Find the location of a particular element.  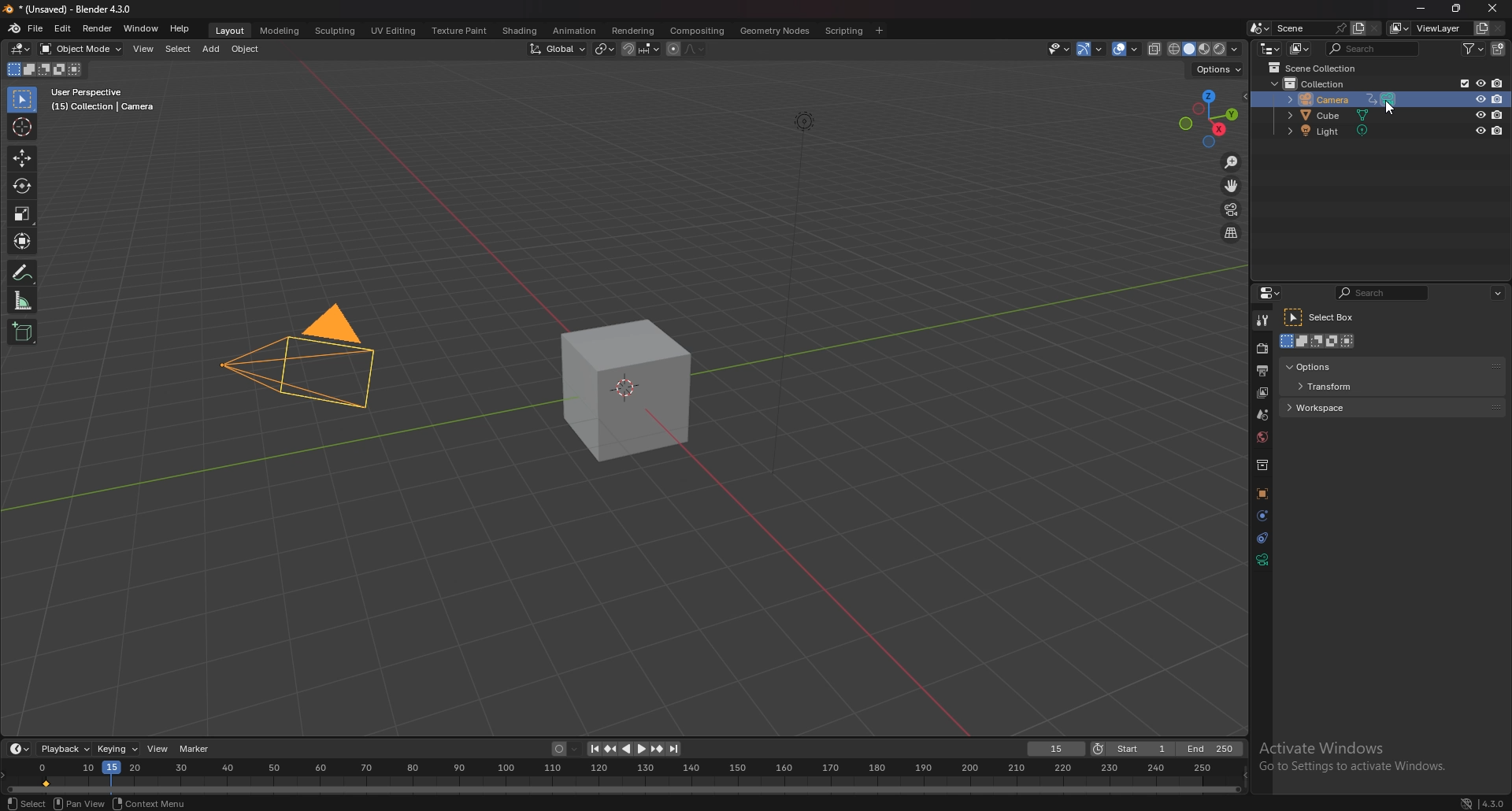

proportional editing objects is located at coordinates (670, 49).